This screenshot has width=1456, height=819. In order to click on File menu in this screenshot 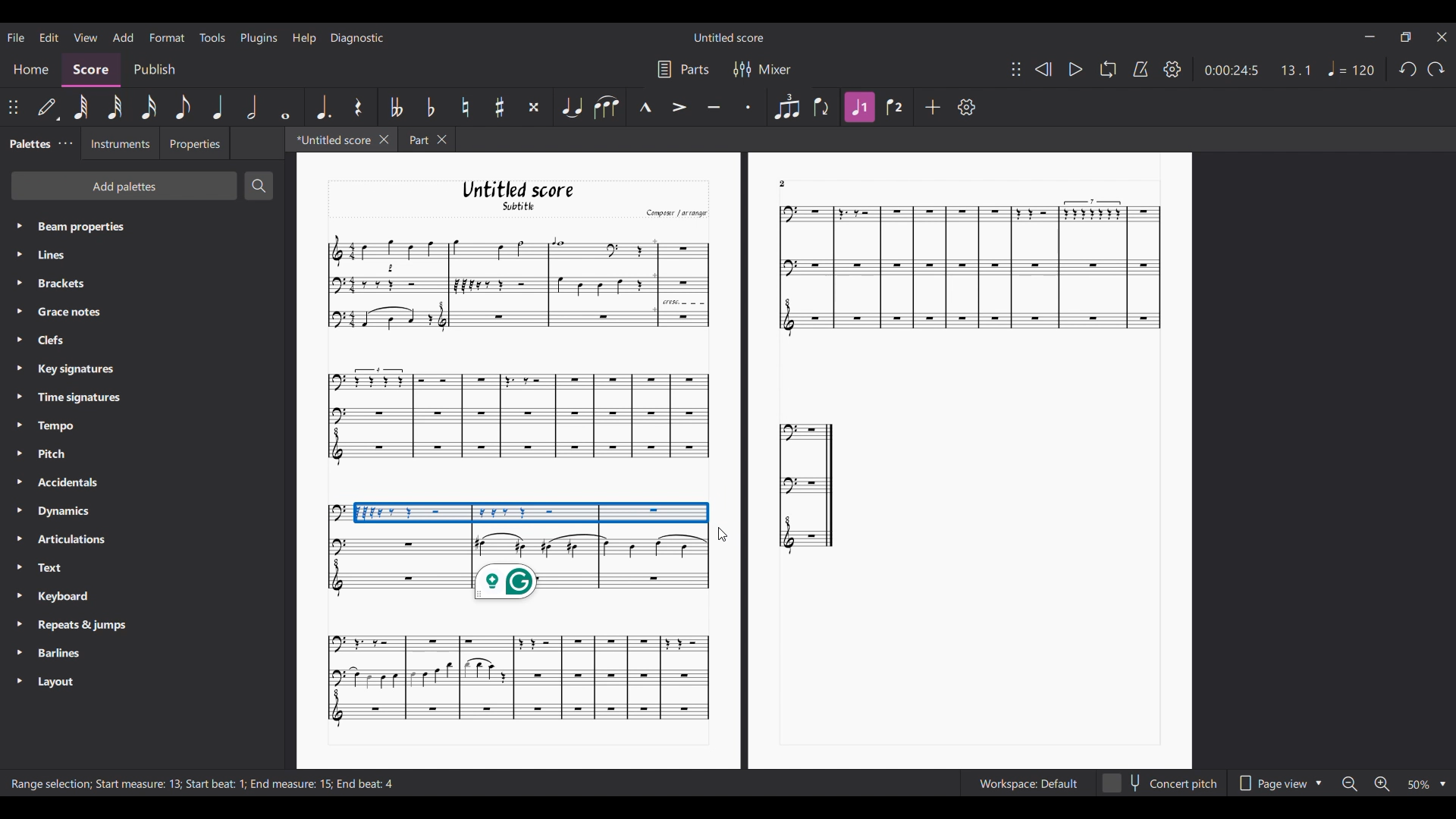, I will do `click(17, 37)`.